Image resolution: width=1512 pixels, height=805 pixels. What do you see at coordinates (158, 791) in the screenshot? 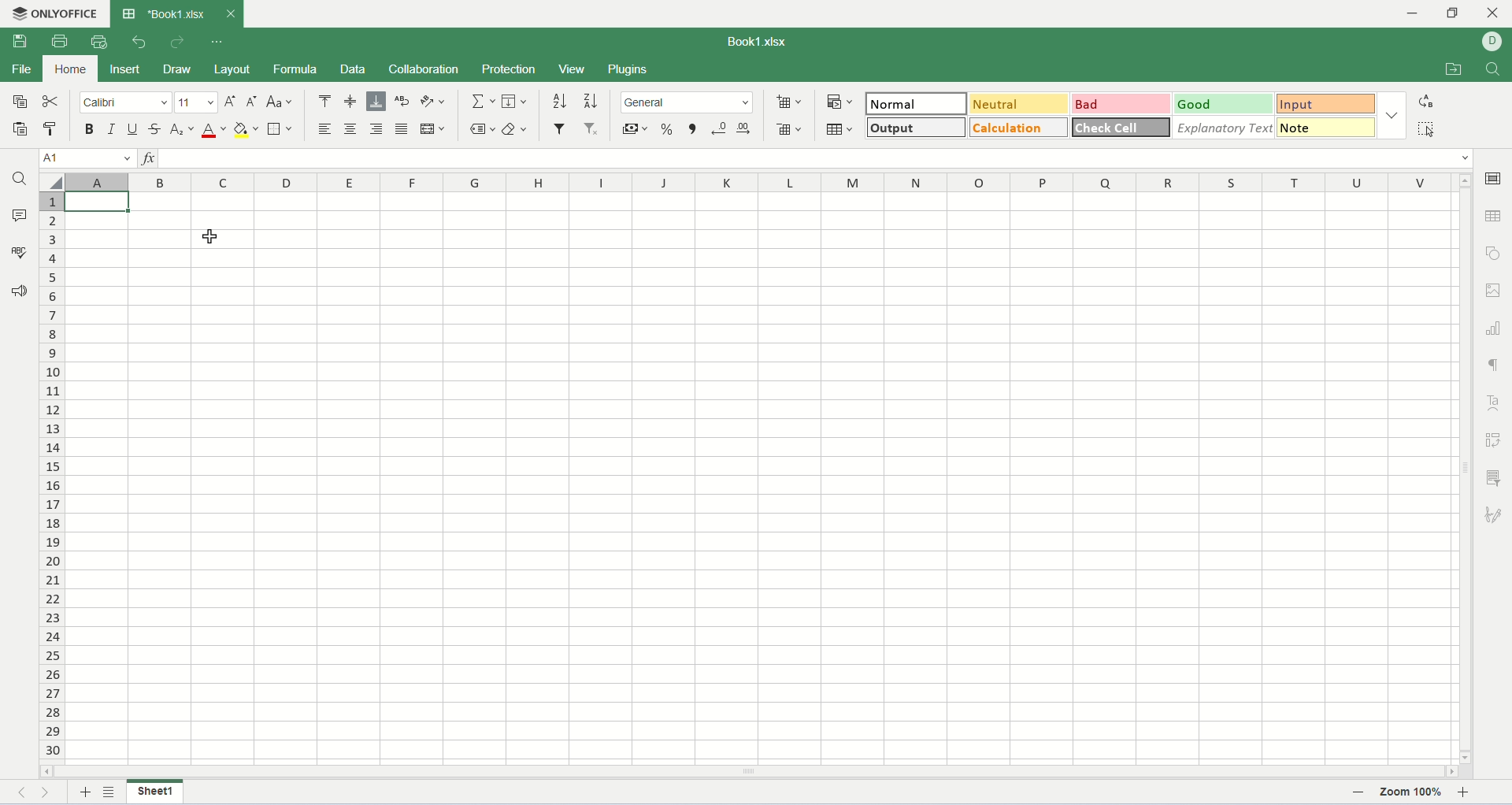
I see `sheet name` at bounding box center [158, 791].